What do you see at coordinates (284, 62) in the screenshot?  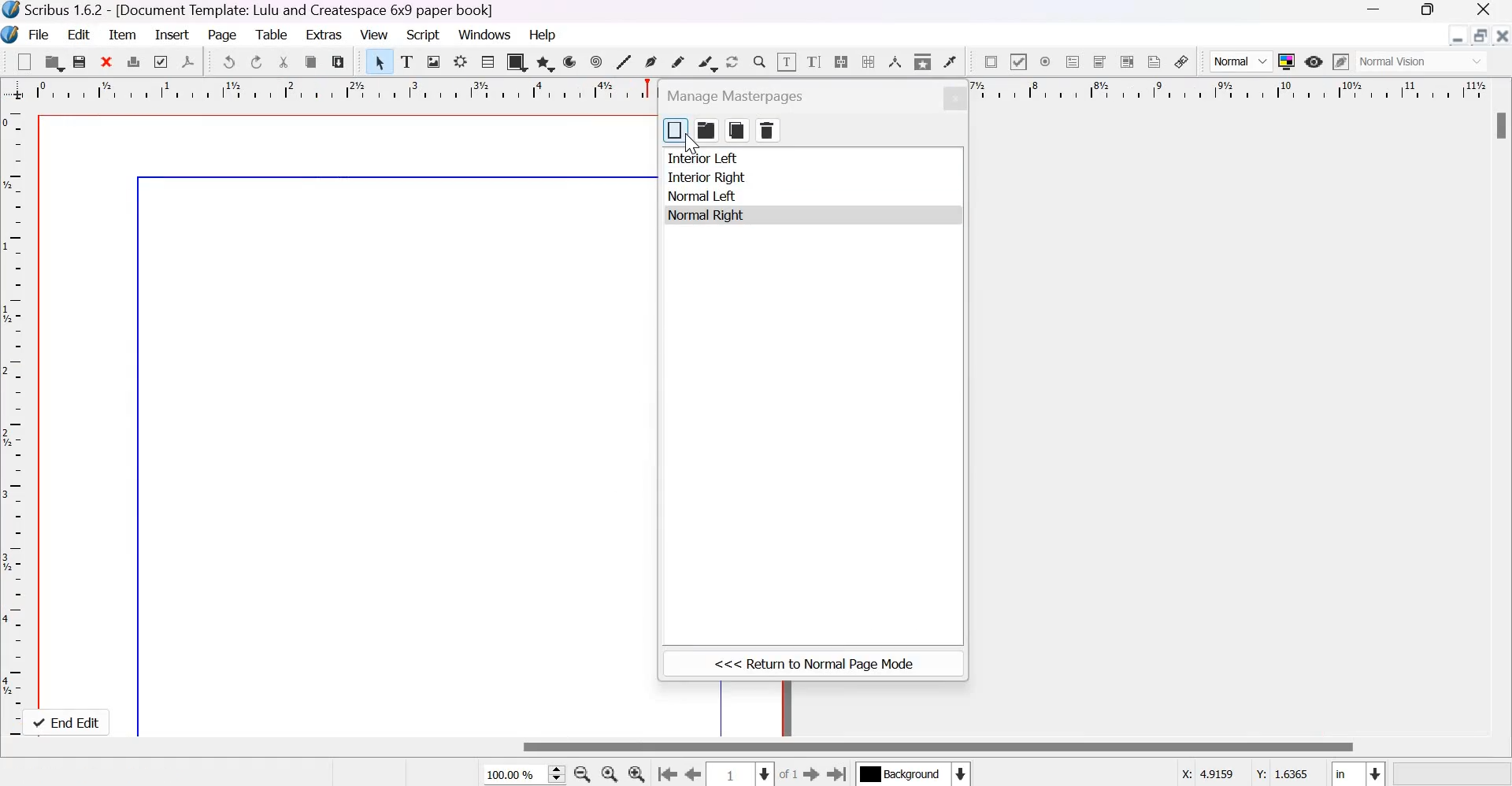 I see `cut` at bounding box center [284, 62].